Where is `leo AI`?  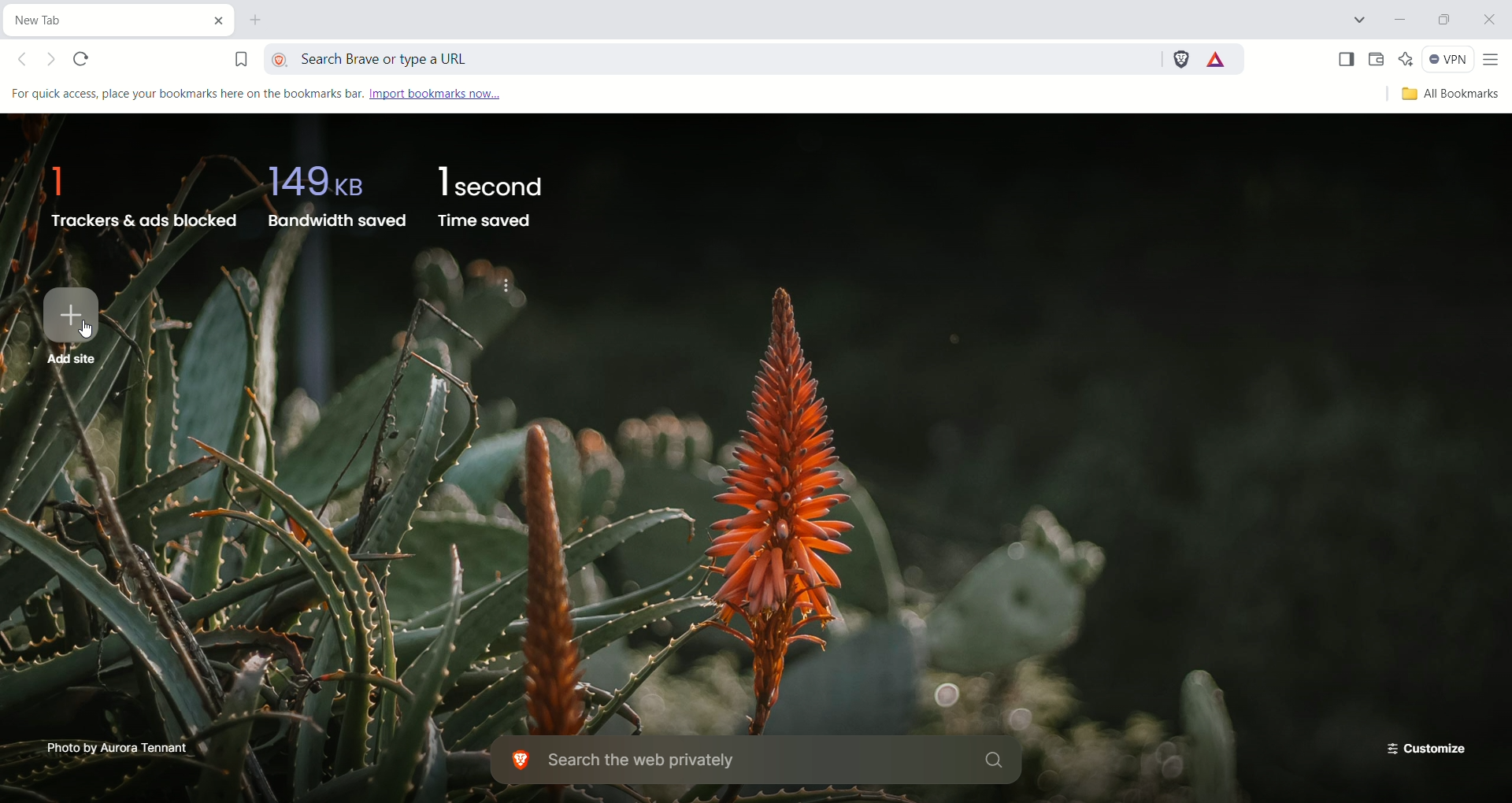 leo AI is located at coordinates (1406, 59).